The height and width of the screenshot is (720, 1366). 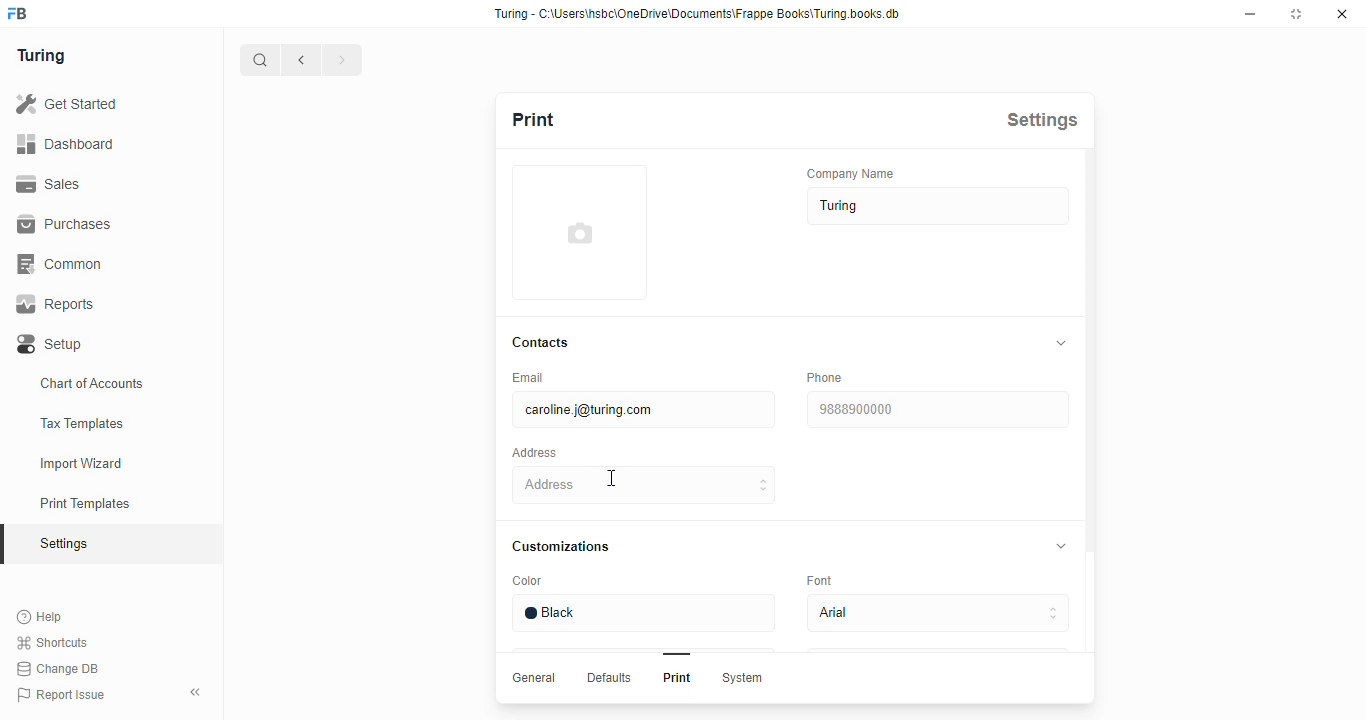 I want to click on report issue, so click(x=61, y=695).